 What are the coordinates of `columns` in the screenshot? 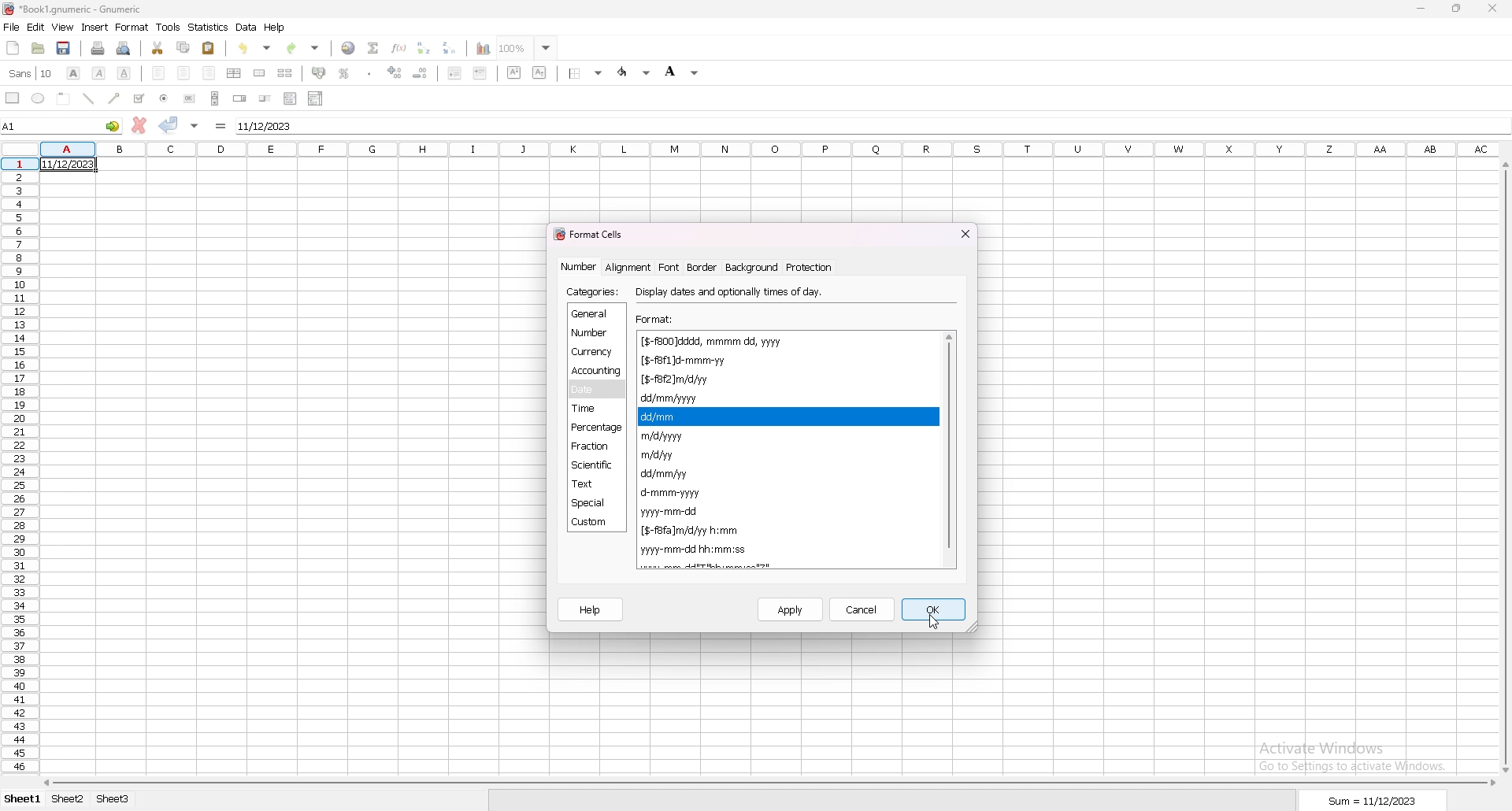 It's located at (772, 148).